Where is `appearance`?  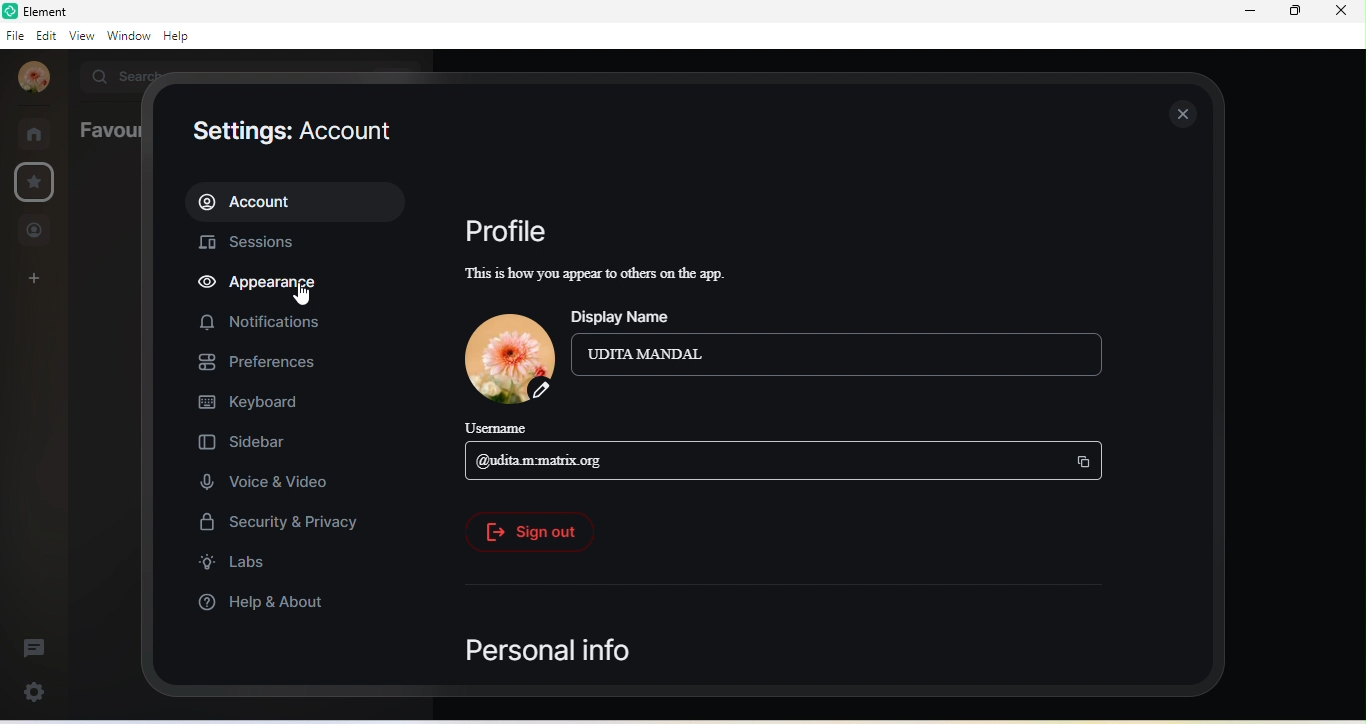 appearance is located at coordinates (271, 286).